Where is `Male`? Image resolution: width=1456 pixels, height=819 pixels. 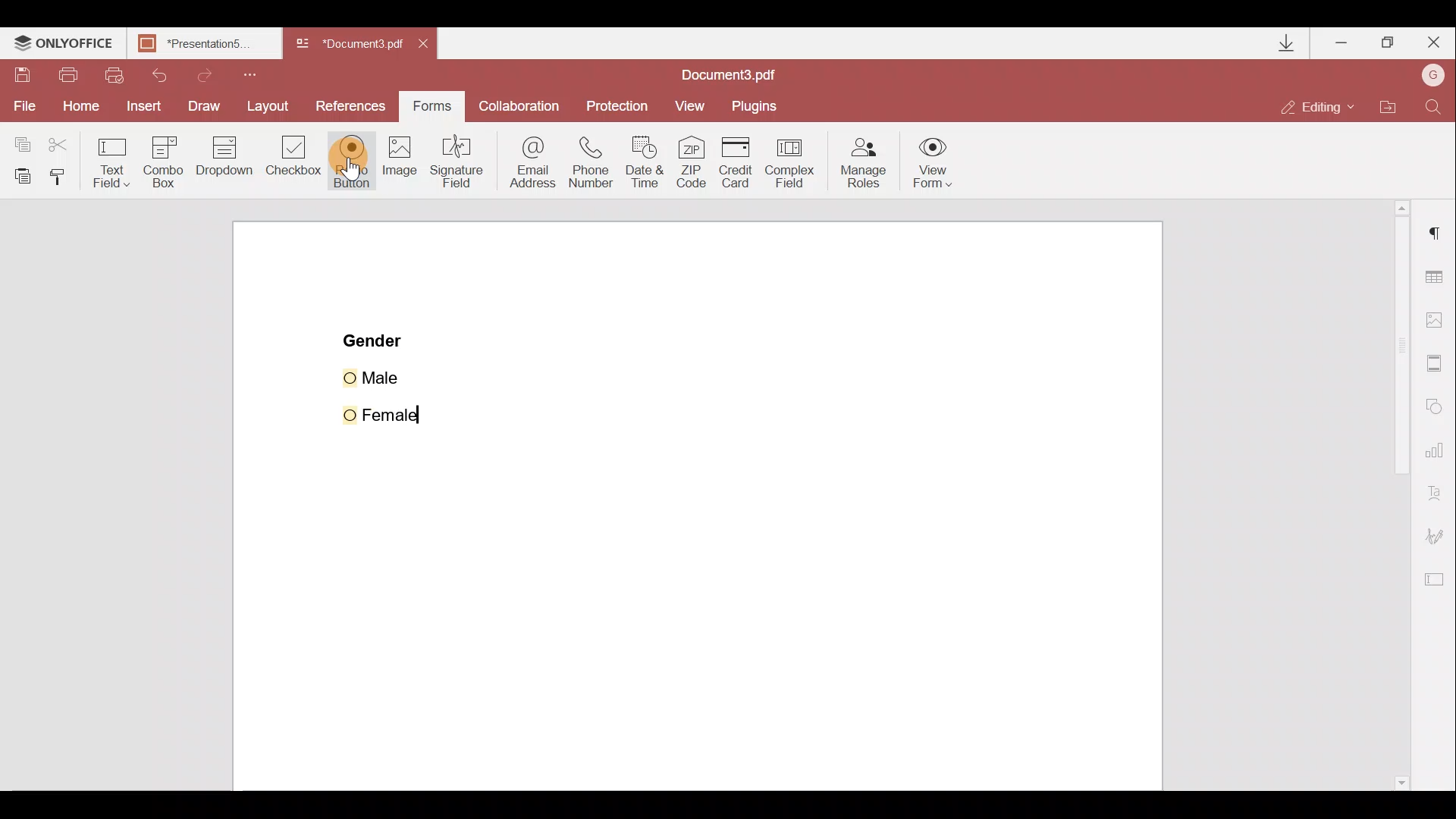 Male is located at coordinates (392, 375).